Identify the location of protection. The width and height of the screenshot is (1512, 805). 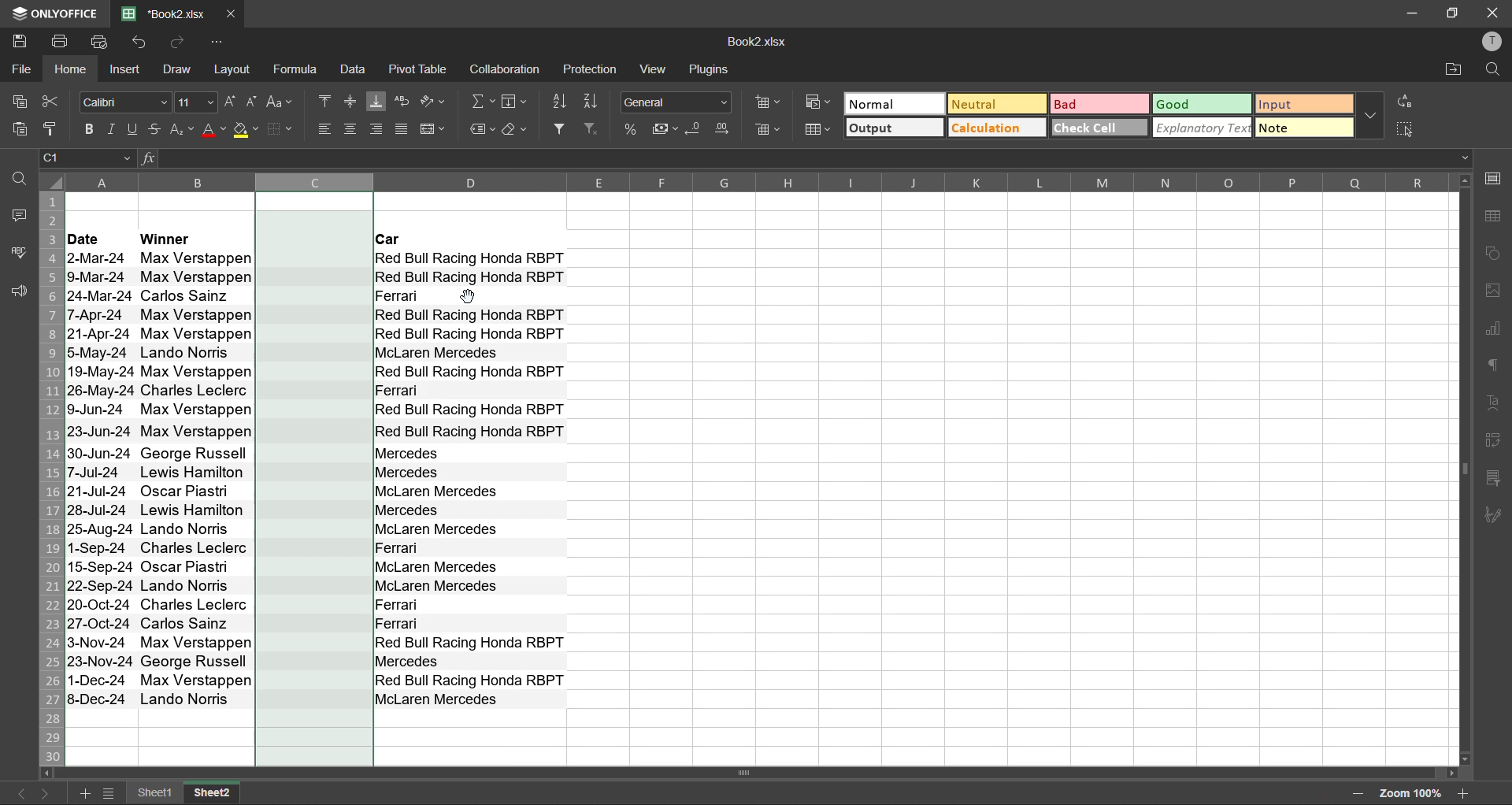
(595, 69).